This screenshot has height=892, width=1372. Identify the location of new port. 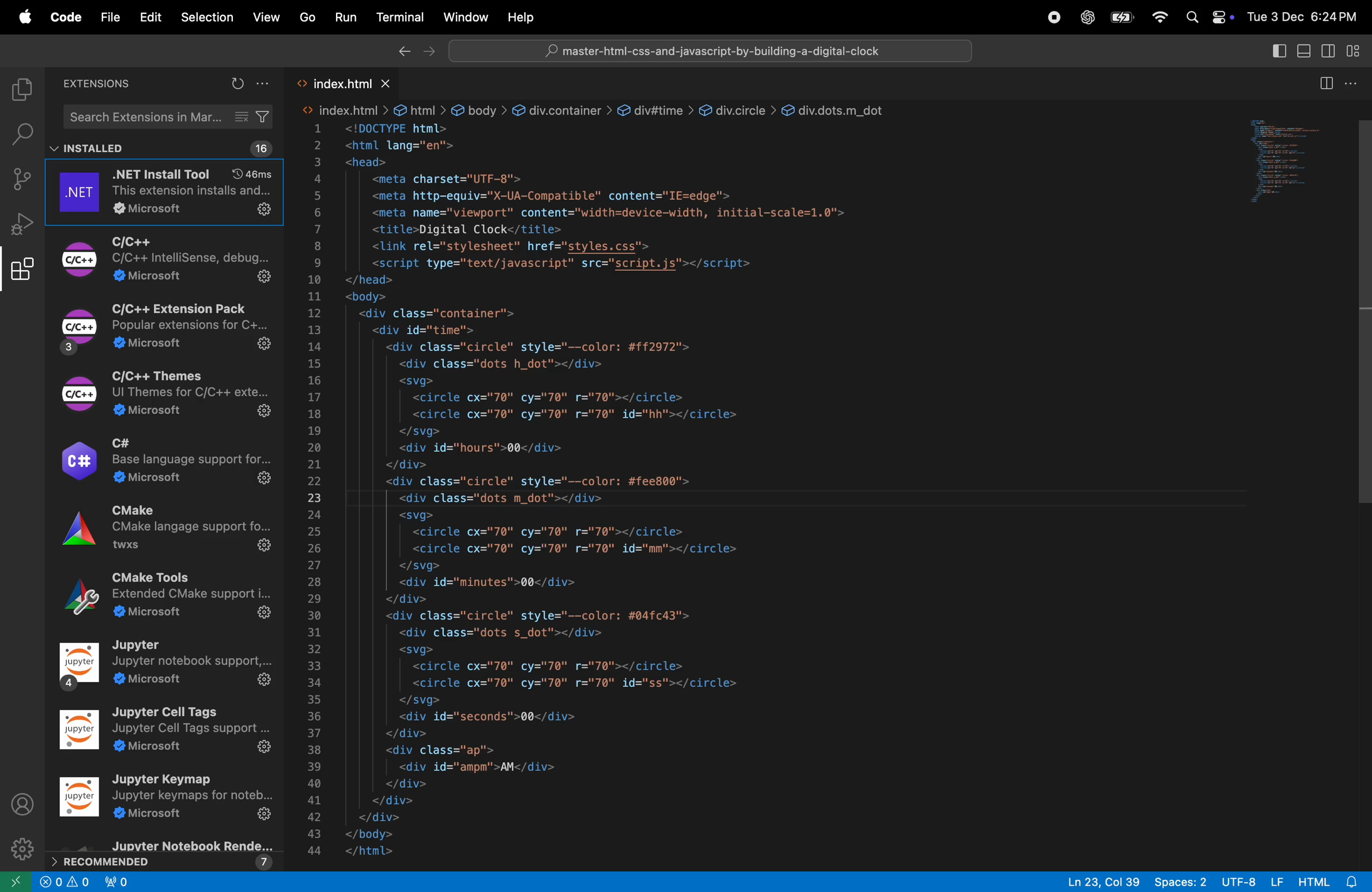
(123, 882).